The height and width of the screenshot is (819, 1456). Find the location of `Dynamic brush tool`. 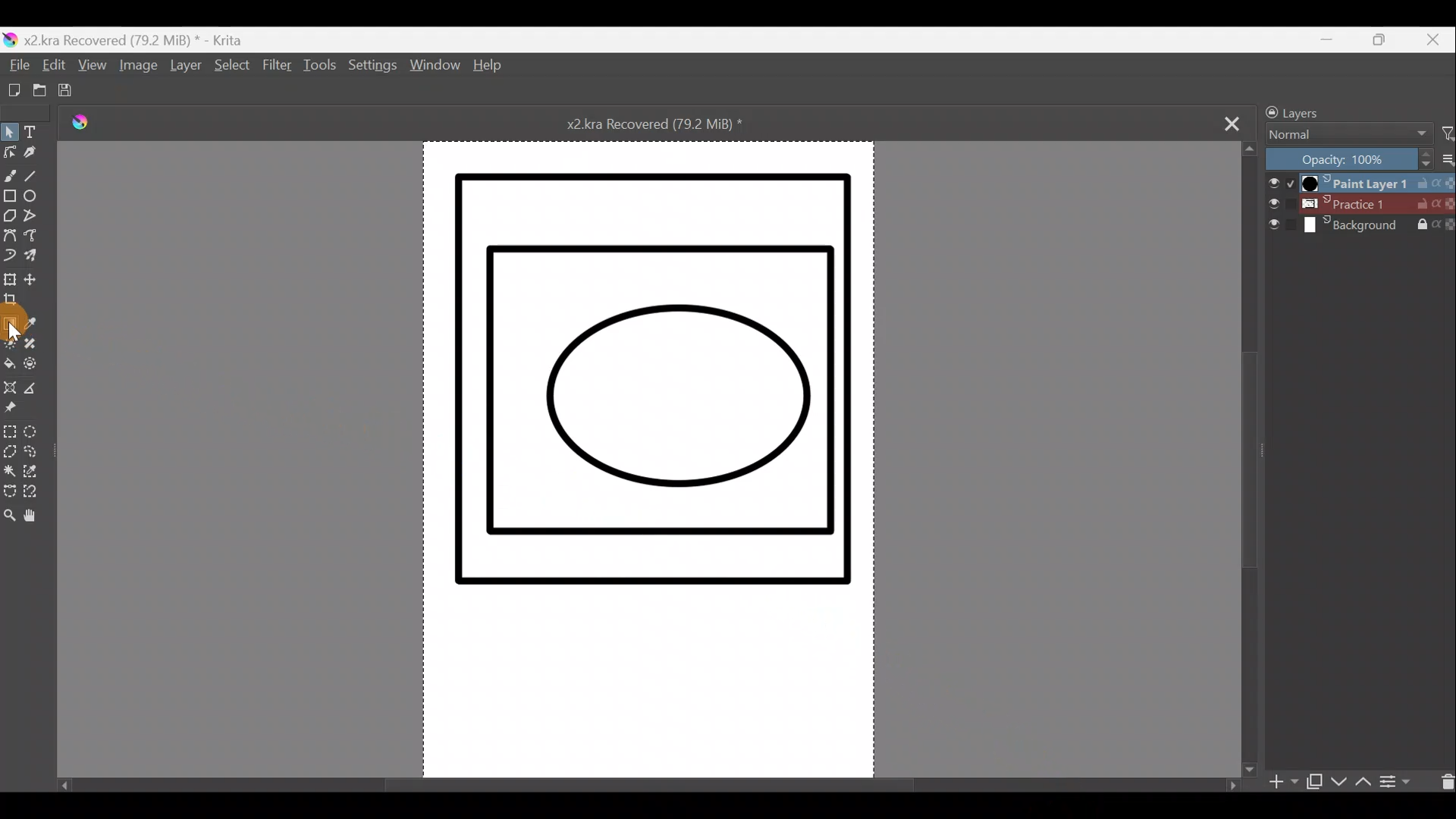

Dynamic brush tool is located at coordinates (11, 256).